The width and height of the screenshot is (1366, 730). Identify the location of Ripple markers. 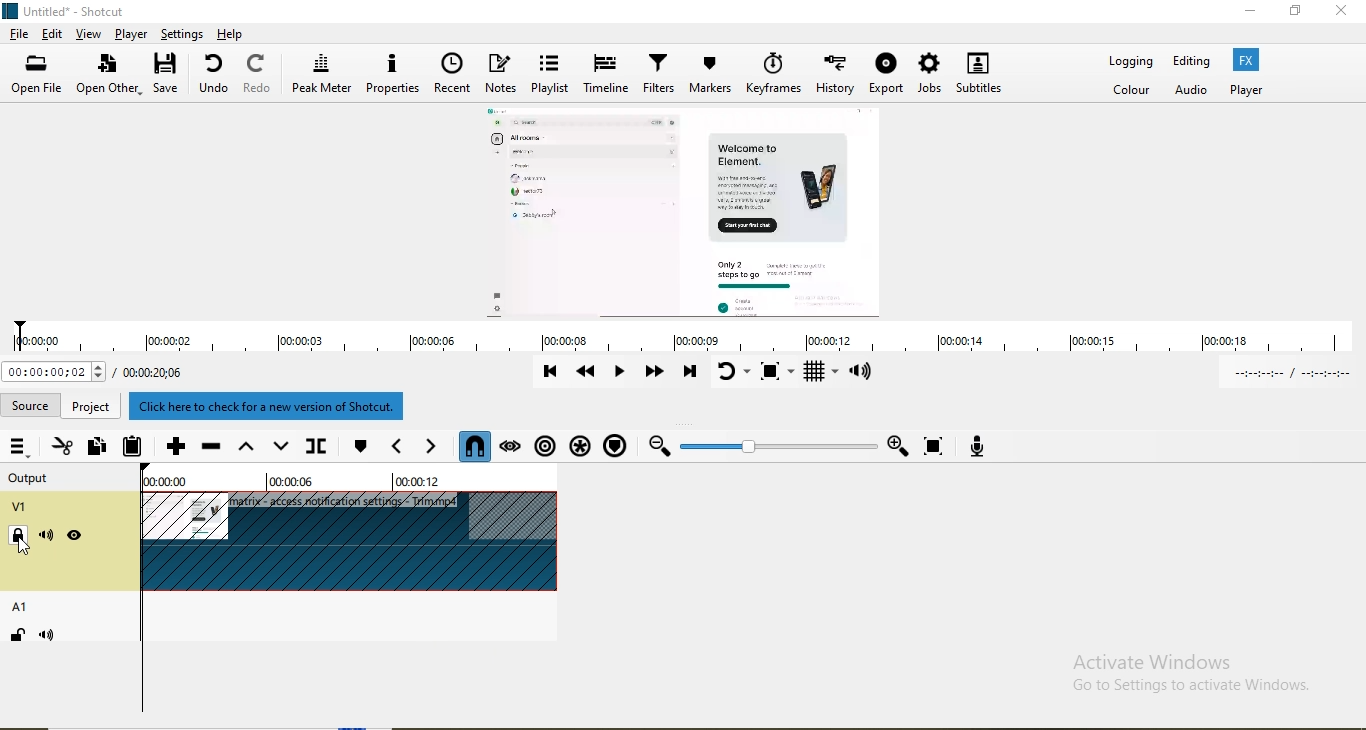
(614, 445).